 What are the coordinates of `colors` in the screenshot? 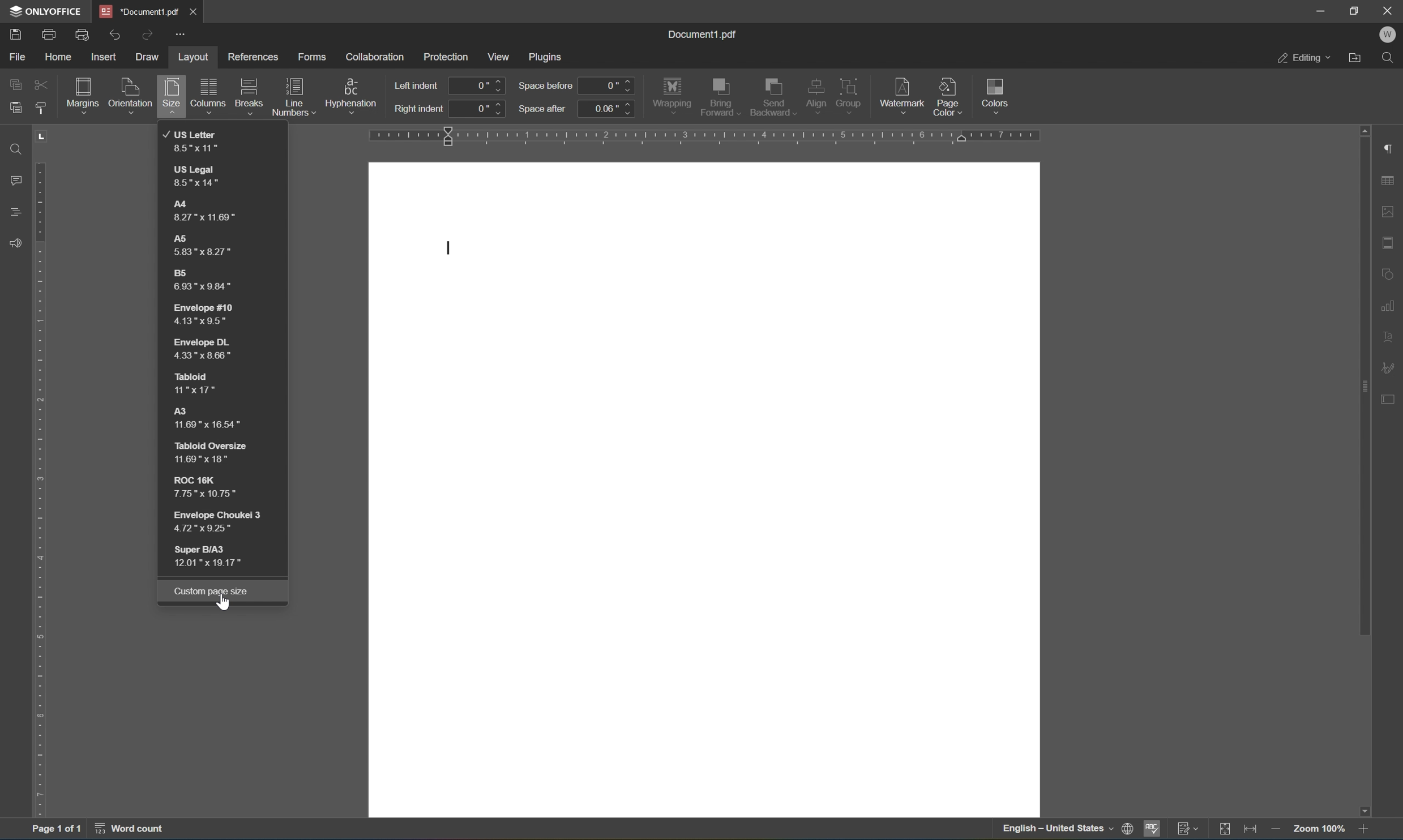 It's located at (998, 95).